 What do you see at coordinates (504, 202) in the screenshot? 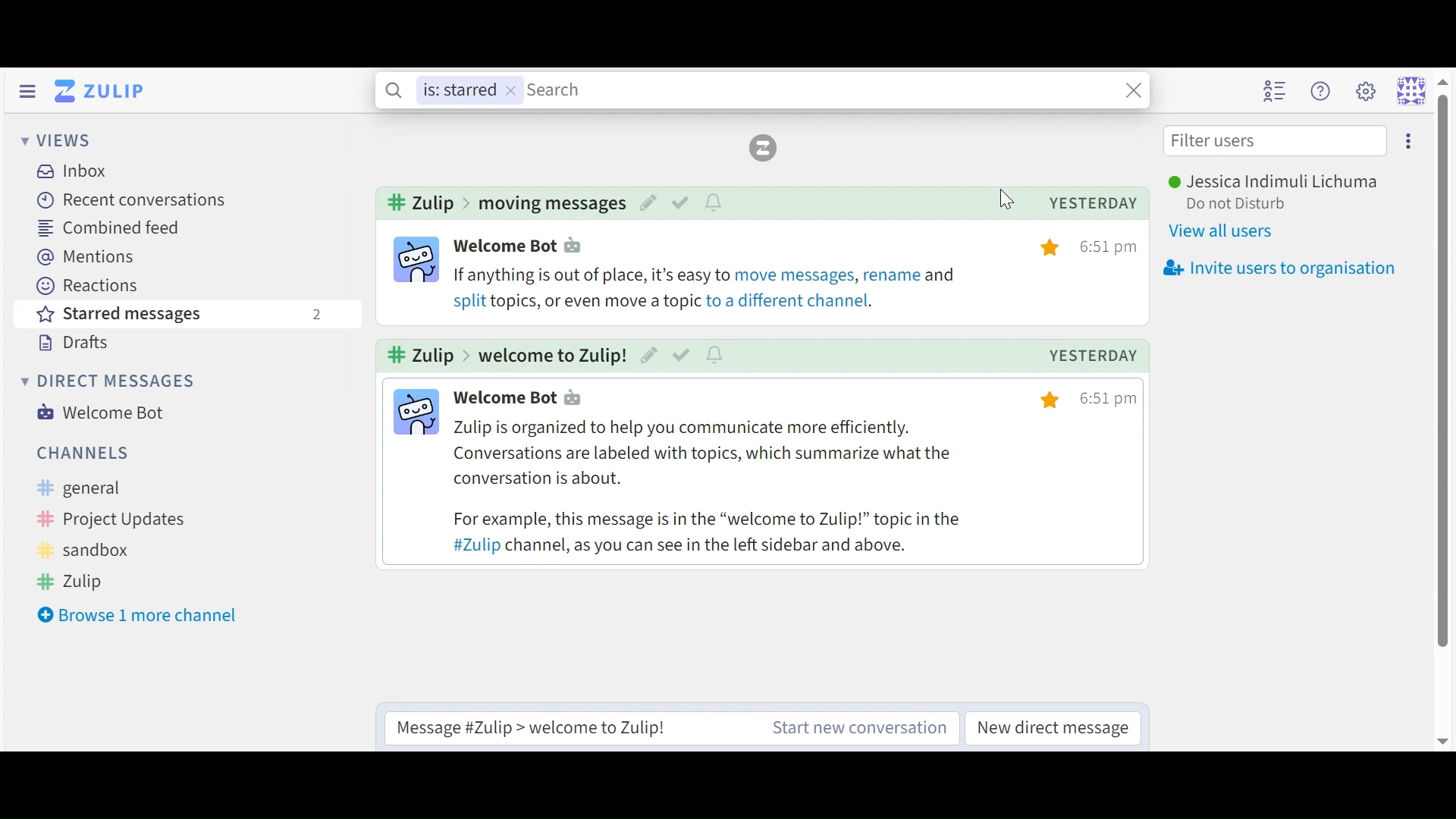
I see `channel` at bounding box center [504, 202].